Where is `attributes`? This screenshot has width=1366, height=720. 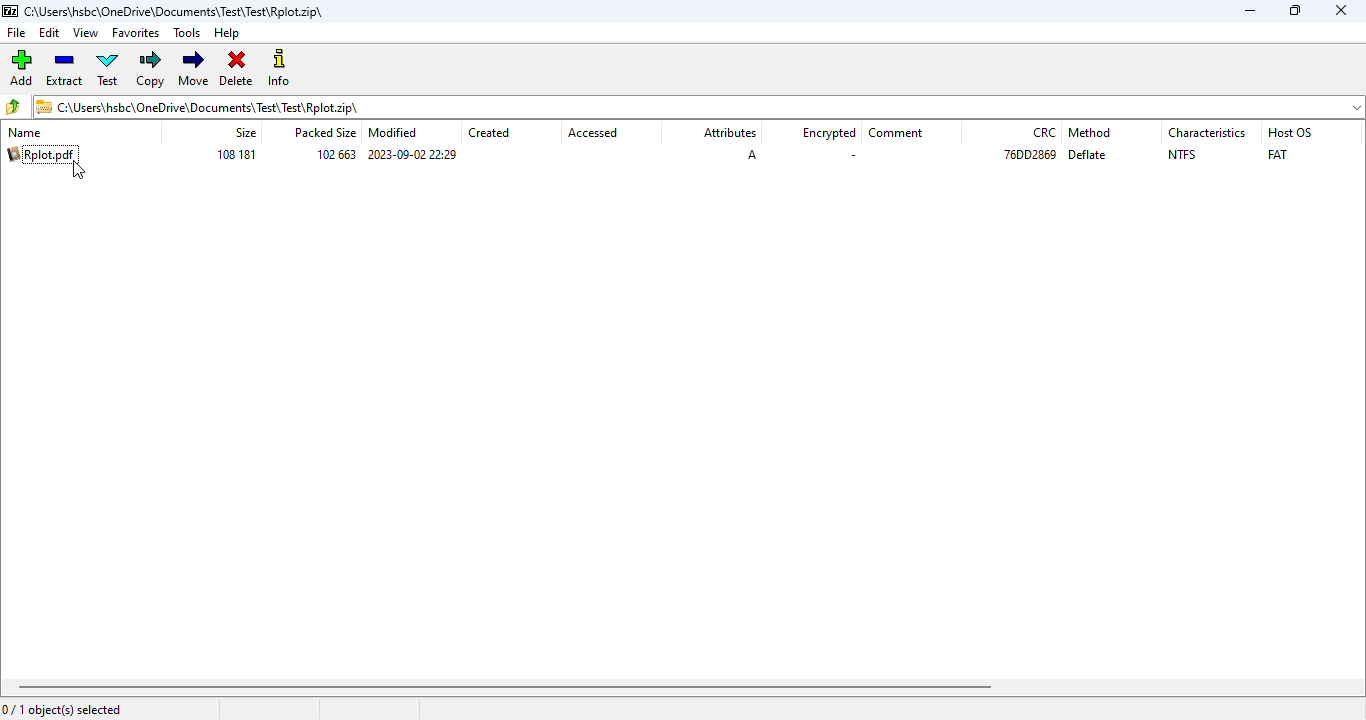
attributes is located at coordinates (728, 133).